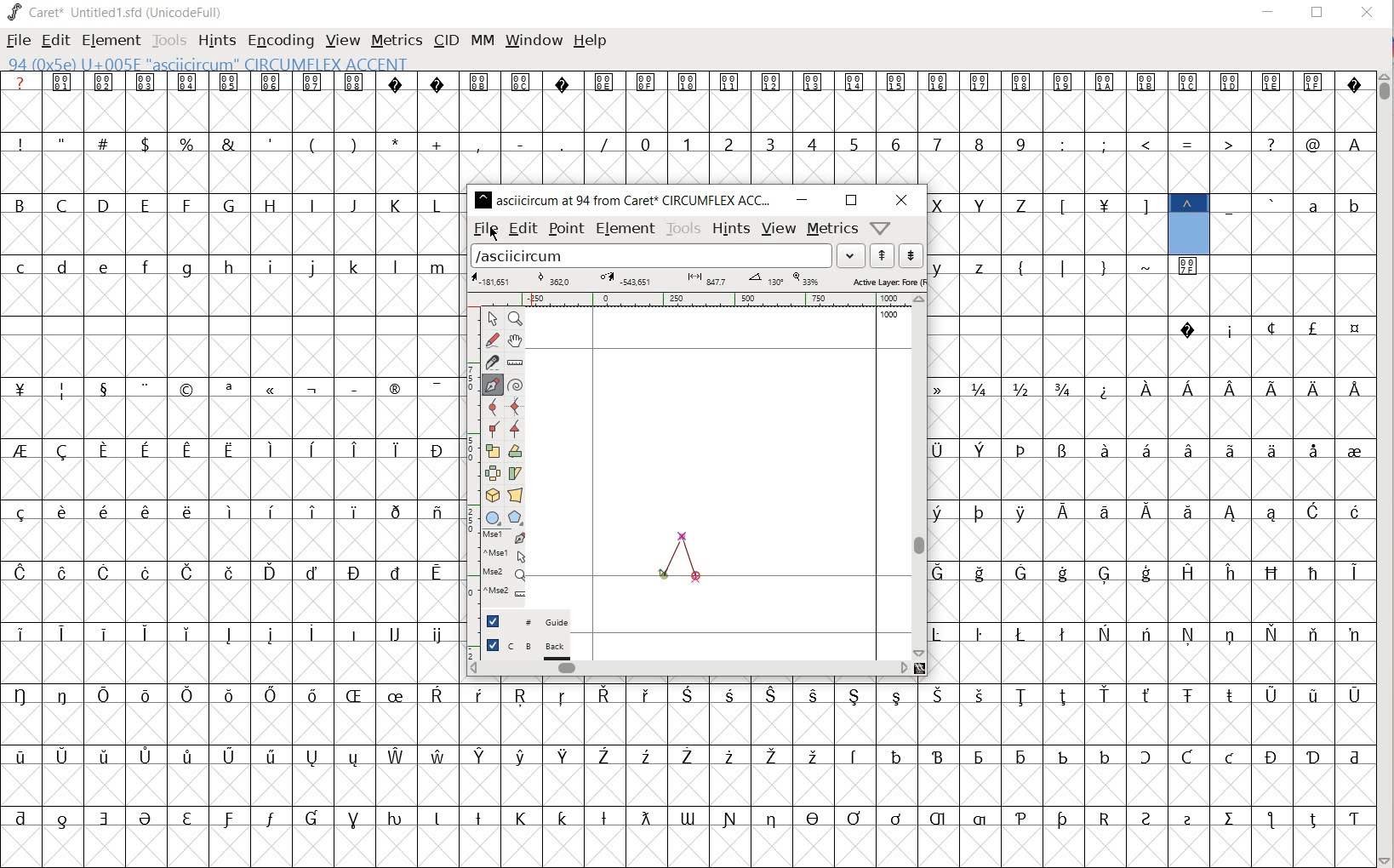 This screenshot has height=868, width=1394. Describe the element at coordinates (850, 201) in the screenshot. I see `restore down` at that location.